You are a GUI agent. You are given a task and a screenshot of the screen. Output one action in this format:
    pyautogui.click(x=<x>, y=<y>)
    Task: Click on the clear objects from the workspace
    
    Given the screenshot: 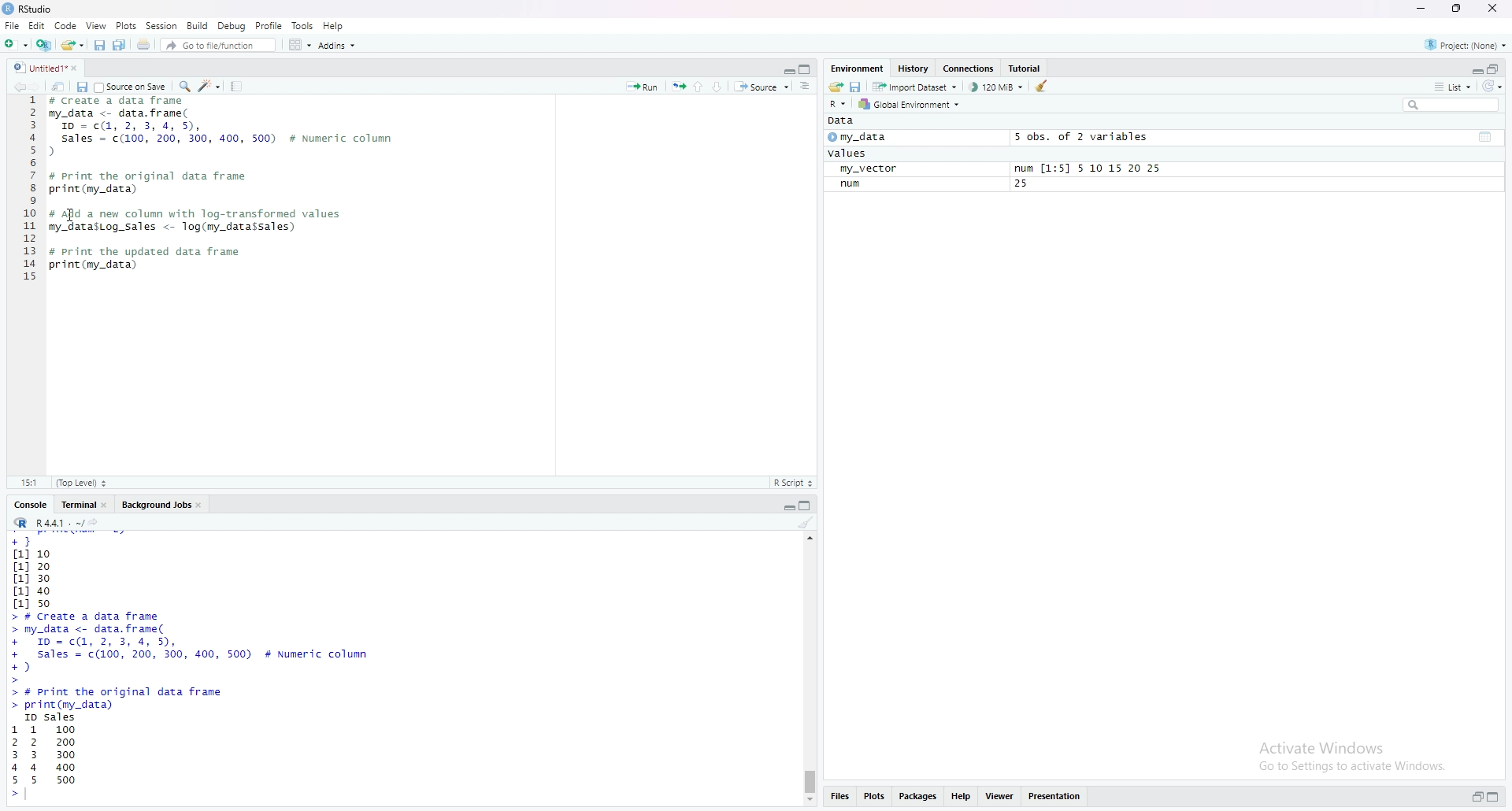 What is the action you would take?
    pyautogui.click(x=1043, y=88)
    